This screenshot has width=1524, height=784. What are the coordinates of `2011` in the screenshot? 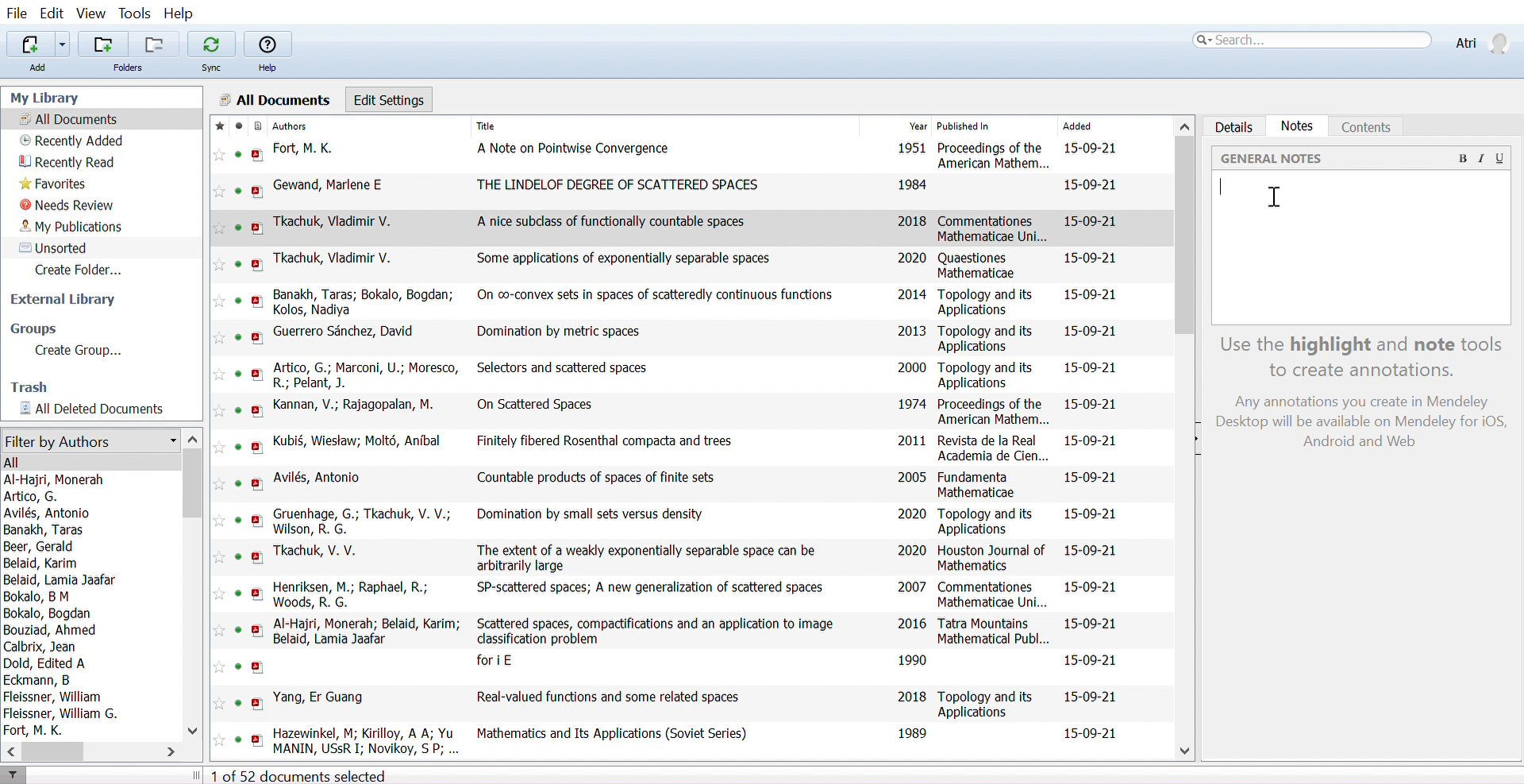 It's located at (912, 440).